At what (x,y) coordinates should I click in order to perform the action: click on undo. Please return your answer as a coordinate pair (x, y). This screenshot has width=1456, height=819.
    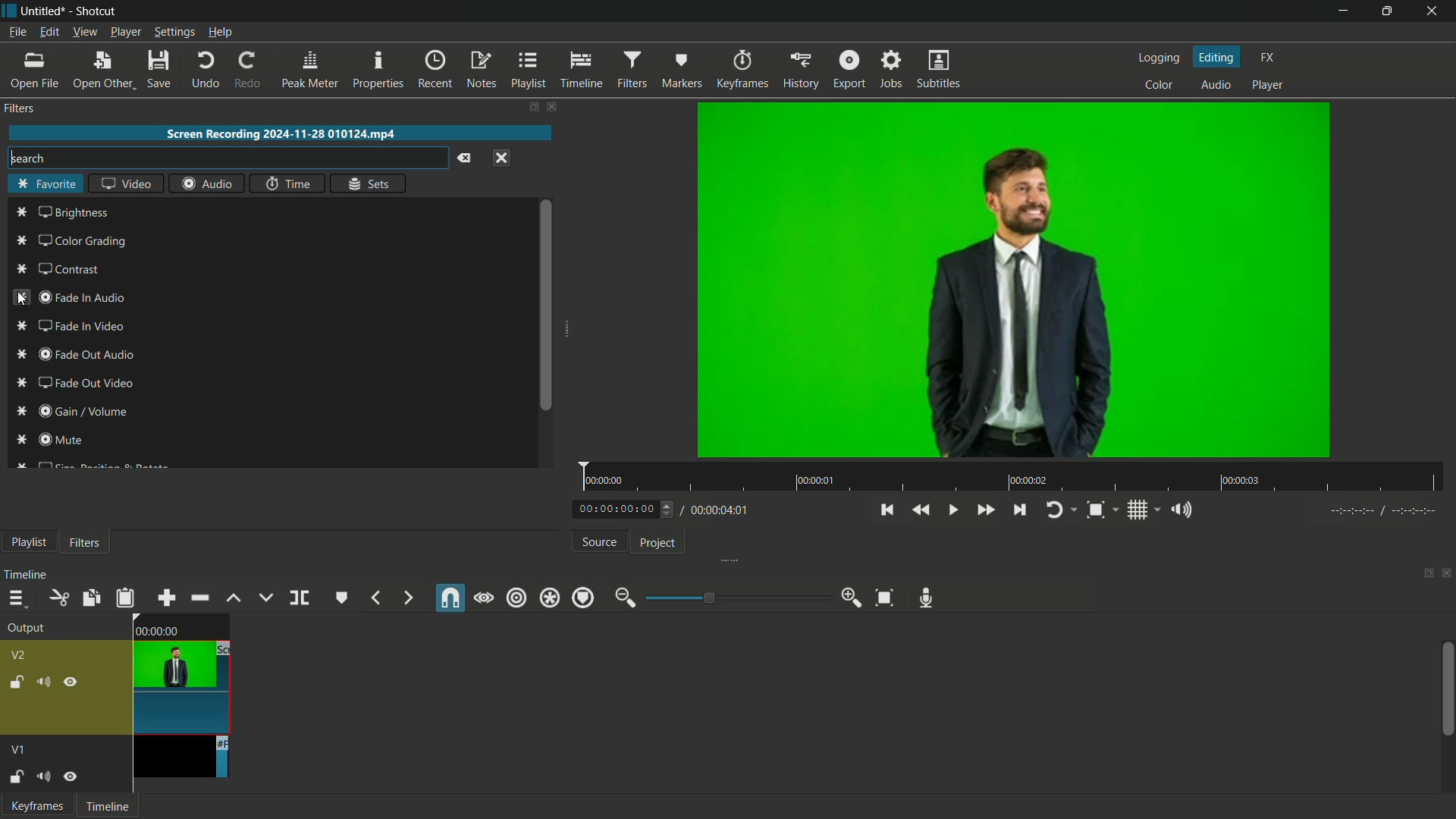
    Looking at the image, I should click on (202, 69).